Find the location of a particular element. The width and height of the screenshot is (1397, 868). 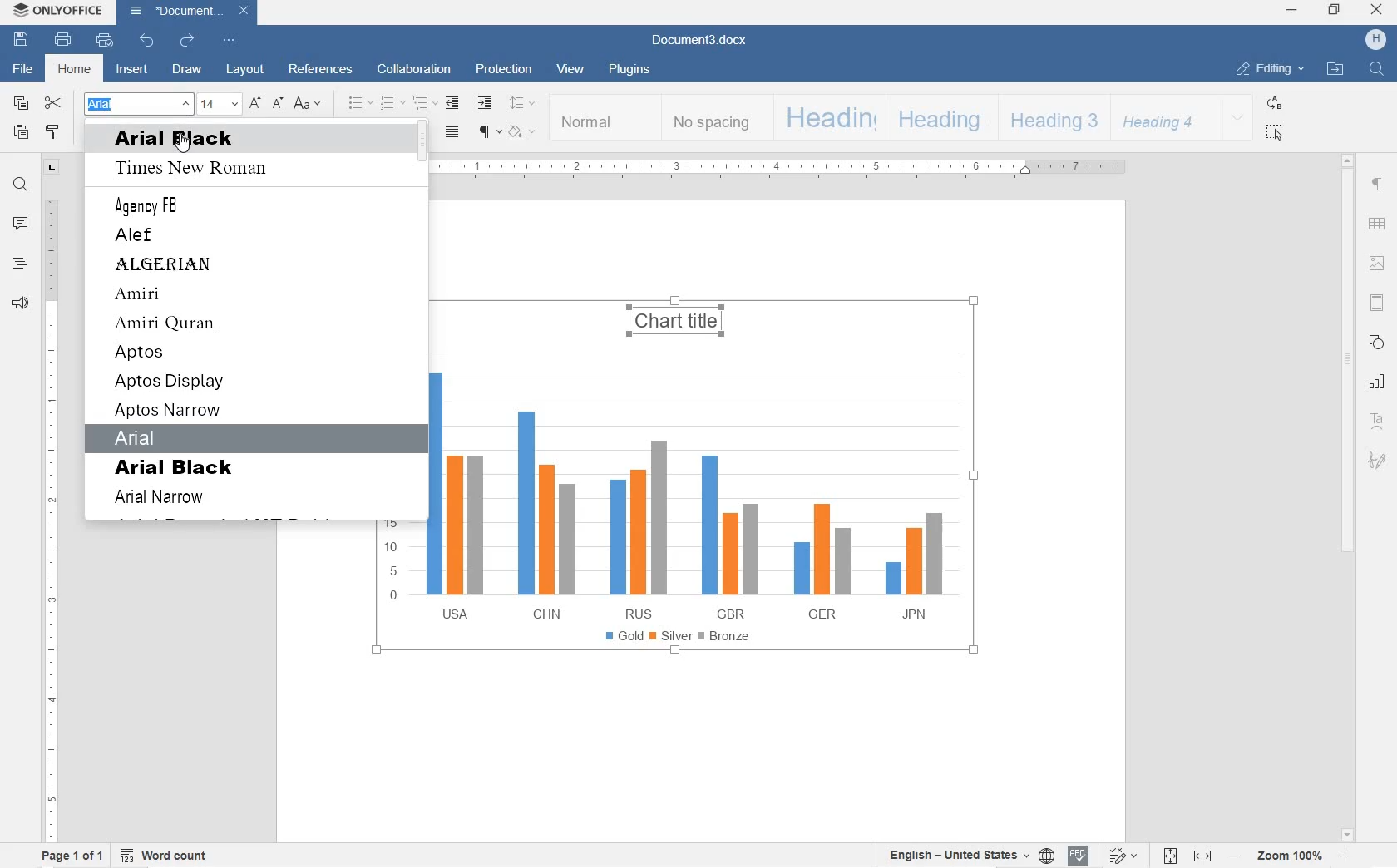

DECREASE INDENT is located at coordinates (451, 104).